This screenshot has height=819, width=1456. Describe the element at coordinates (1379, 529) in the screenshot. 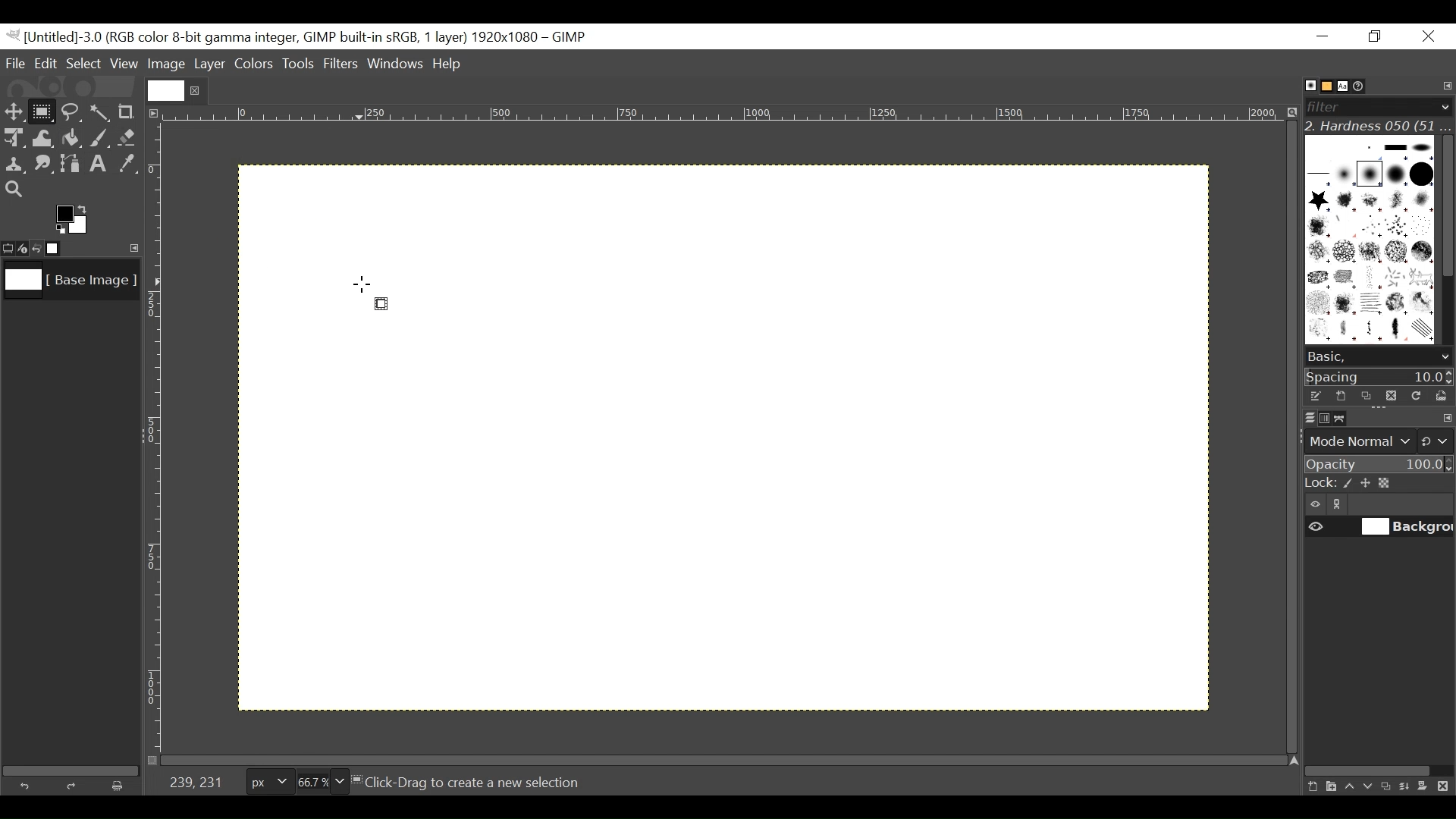

I see `(un)select item visibility background` at that location.